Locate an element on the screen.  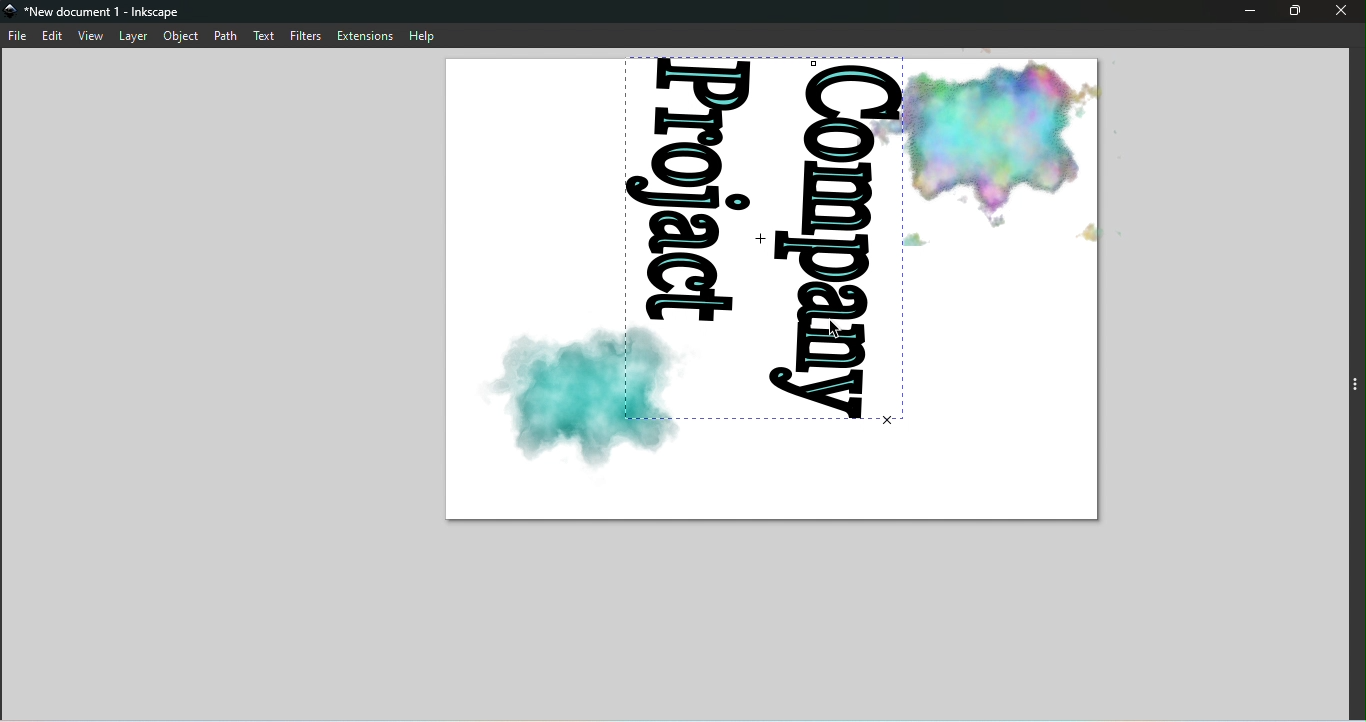
Text is located at coordinates (267, 34).